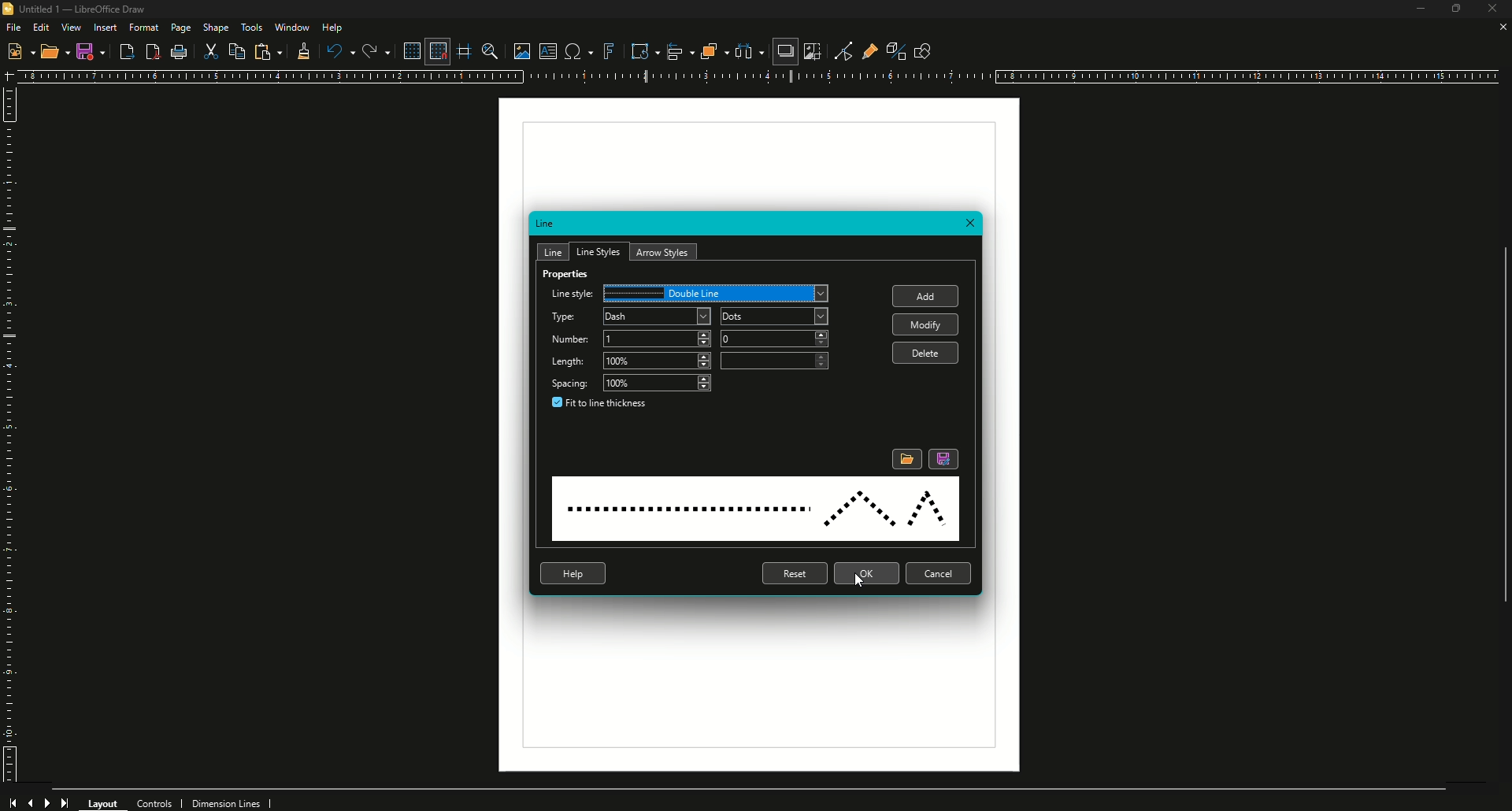 The height and width of the screenshot is (811, 1512). What do you see at coordinates (906, 458) in the screenshot?
I see `Load Line Style` at bounding box center [906, 458].